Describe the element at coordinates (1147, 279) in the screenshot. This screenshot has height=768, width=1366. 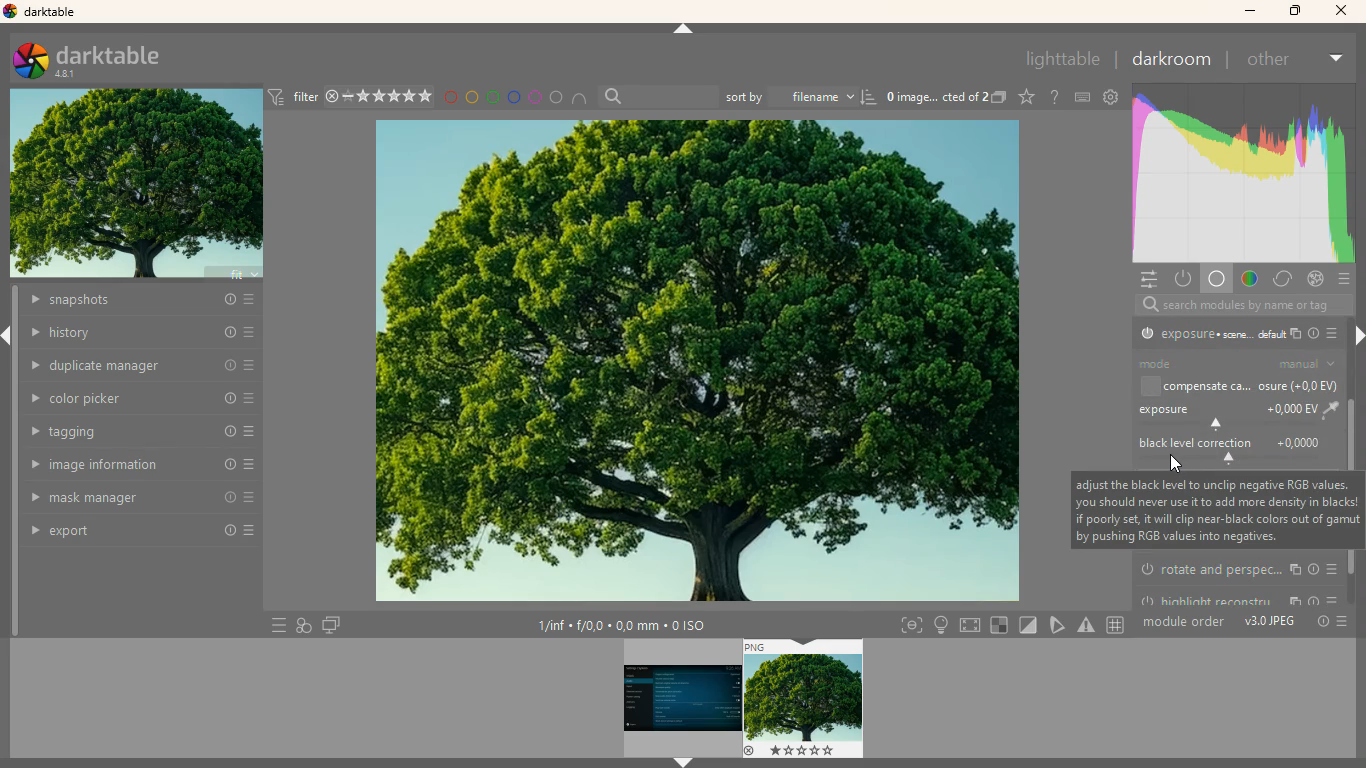
I see `settings` at that location.